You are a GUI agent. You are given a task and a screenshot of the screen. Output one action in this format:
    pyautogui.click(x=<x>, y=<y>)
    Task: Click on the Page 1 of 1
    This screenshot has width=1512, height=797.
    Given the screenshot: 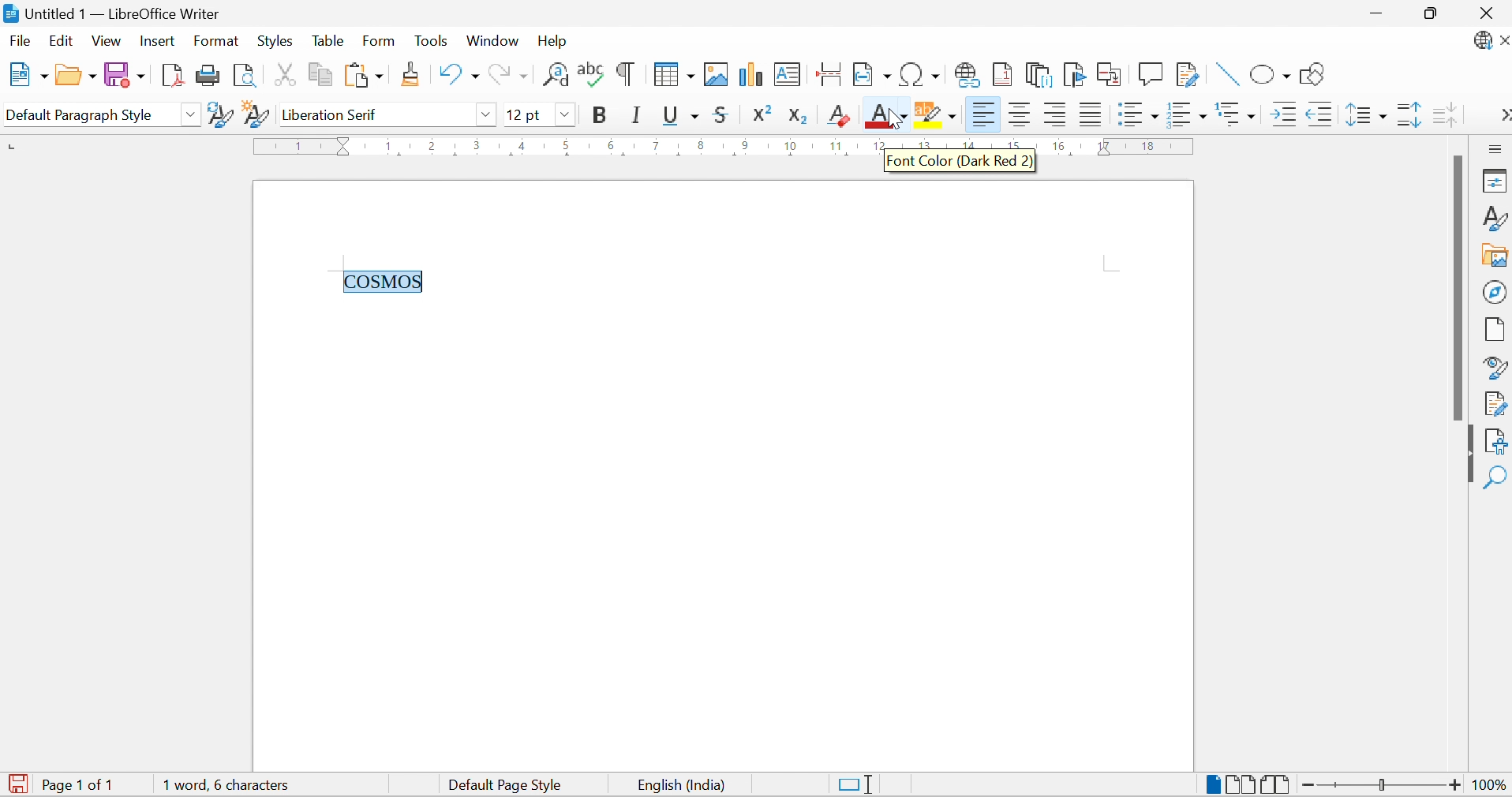 What is the action you would take?
    pyautogui.click(x=83, y=785)
    